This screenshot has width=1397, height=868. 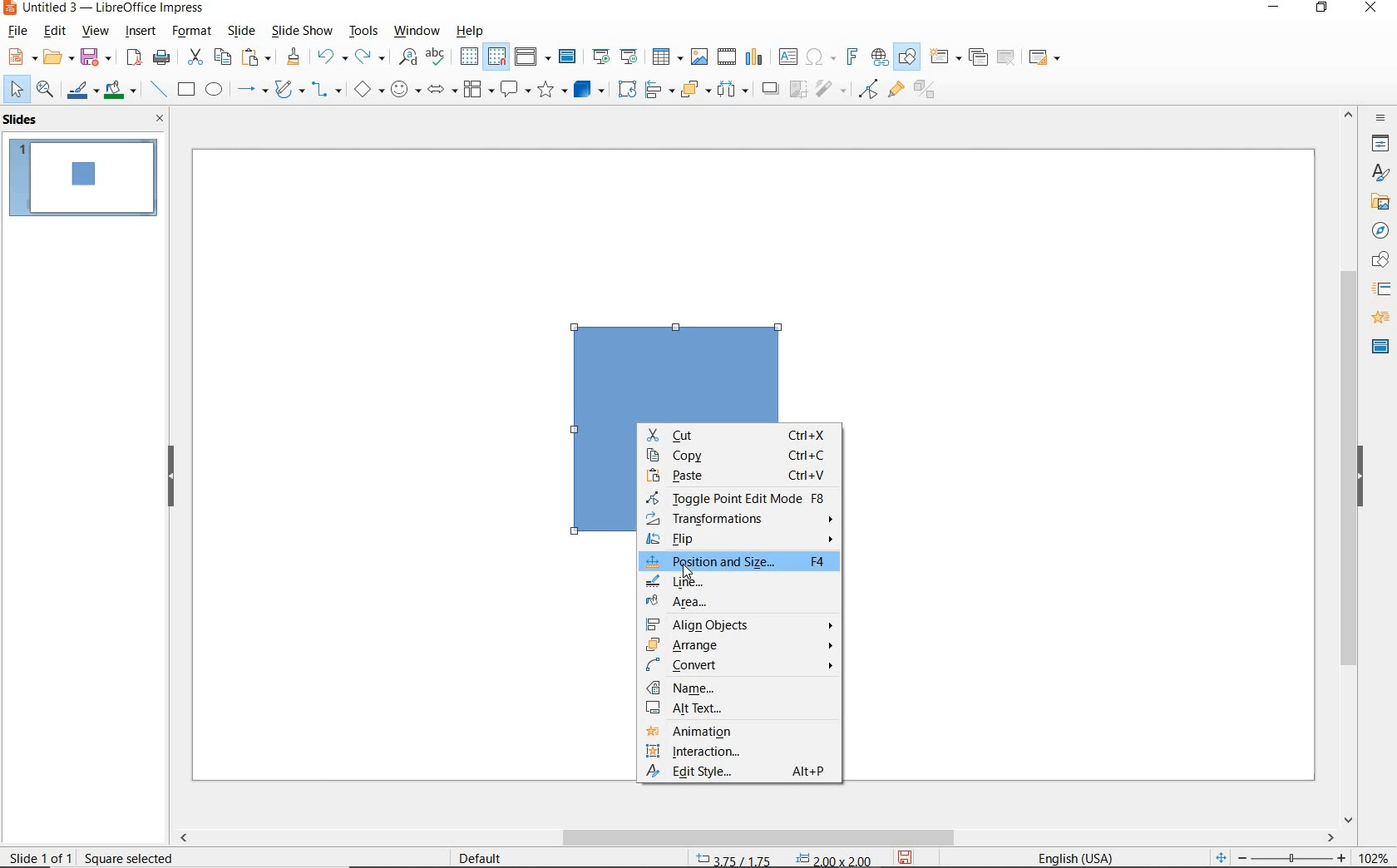 I want to click on ANIMATION, so click(x=738, y=734).